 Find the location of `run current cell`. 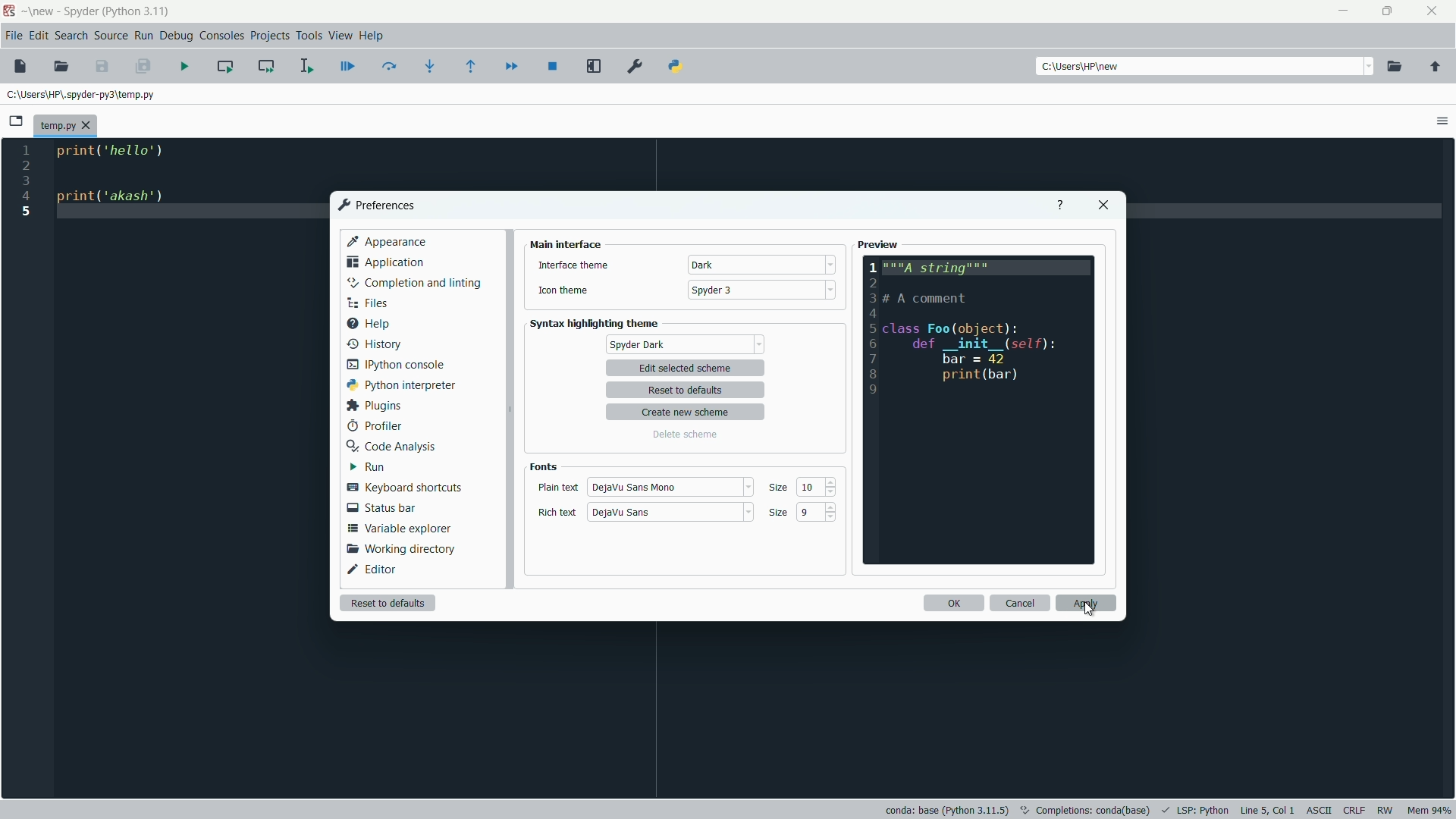

run current cell is located at coordinates (225, 65).